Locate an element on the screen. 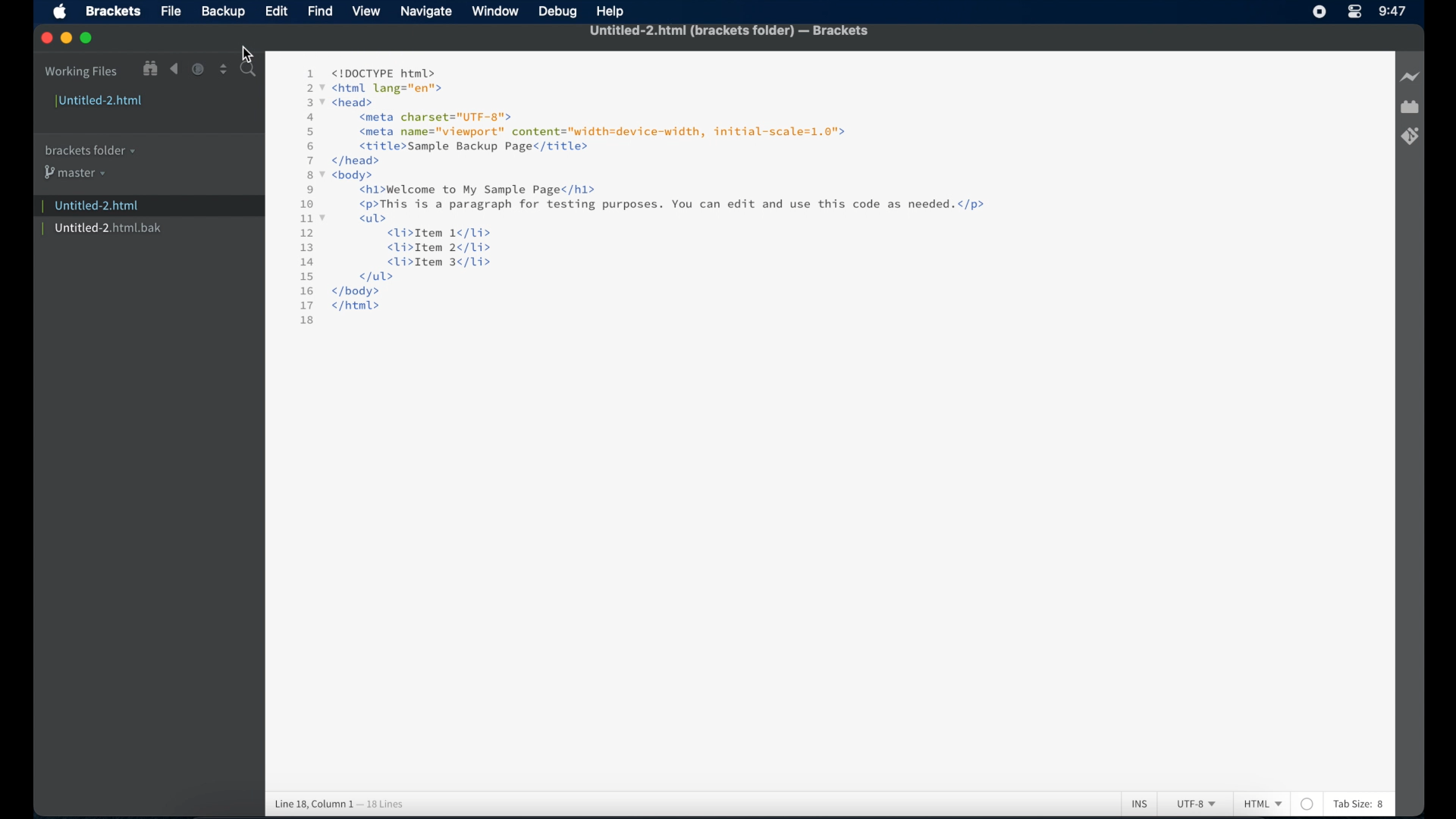 The image size is (1456, 819). edit is located at coordinates (277, 11).